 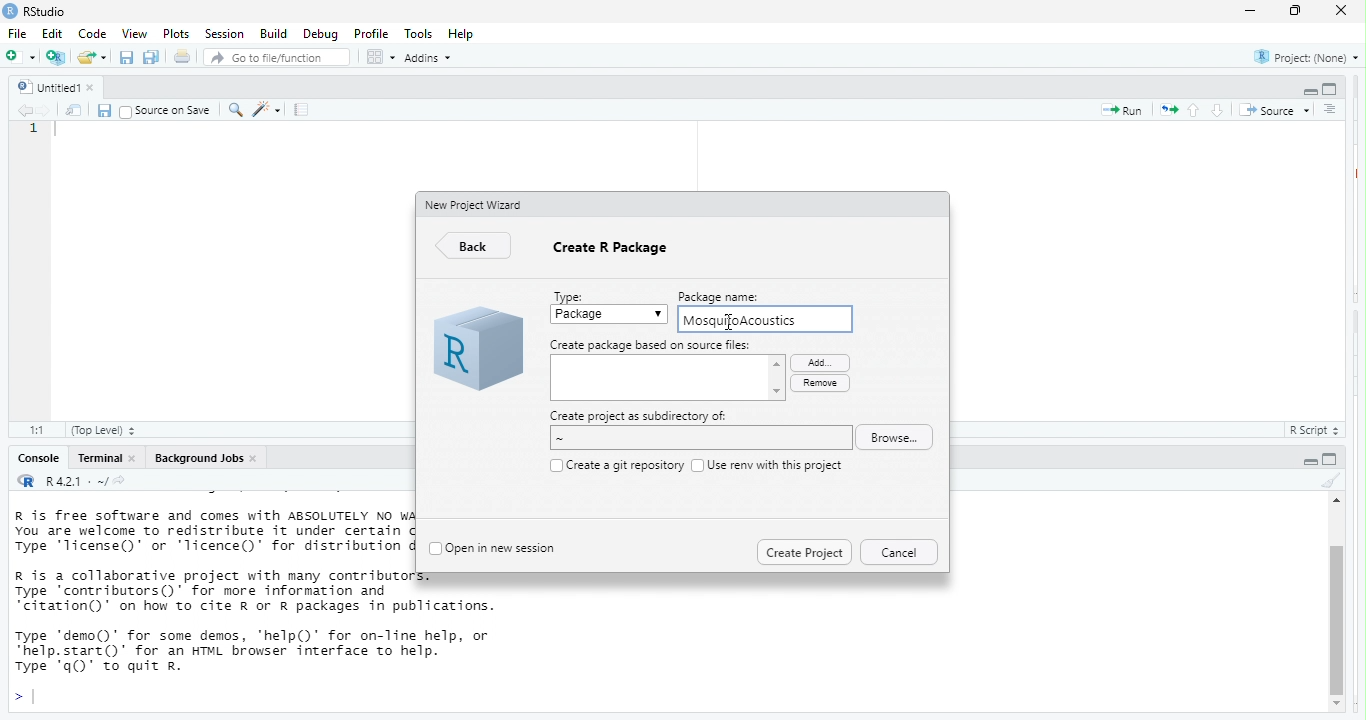 What do you see at coordinates (1305, 59) in the screenshot?
I see ` project: (None)` at bounding box center [1305, 59].